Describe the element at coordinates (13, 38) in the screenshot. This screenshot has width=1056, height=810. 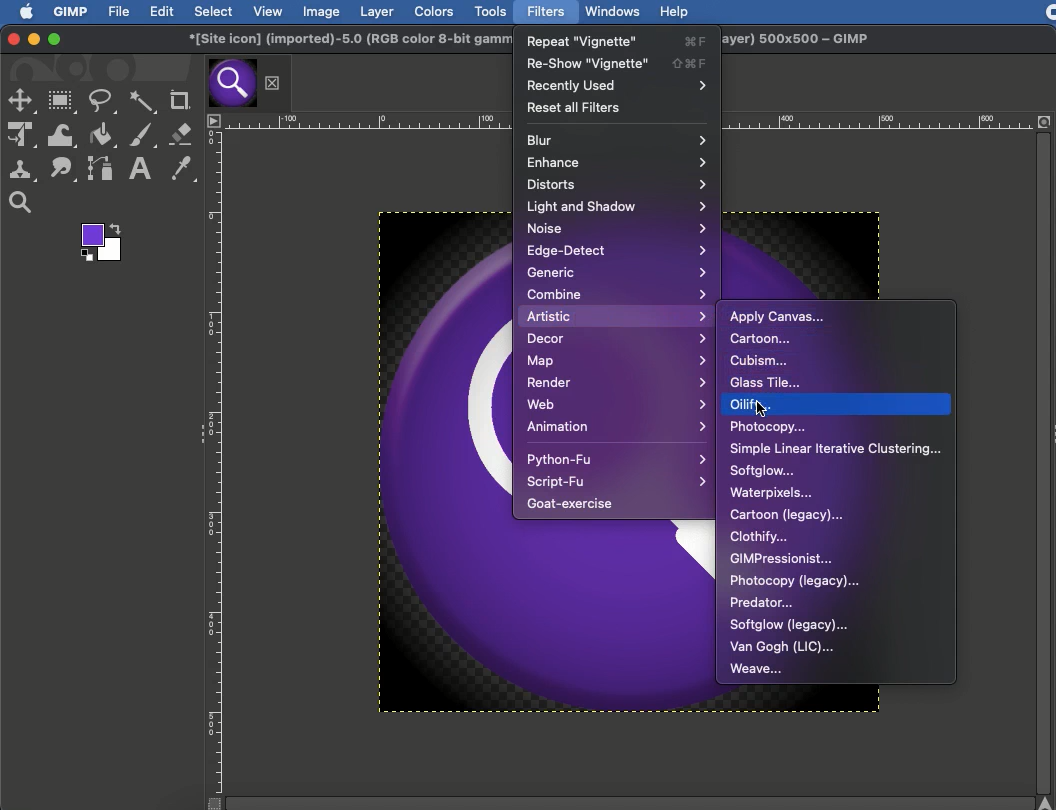
I see `Close` at that location.